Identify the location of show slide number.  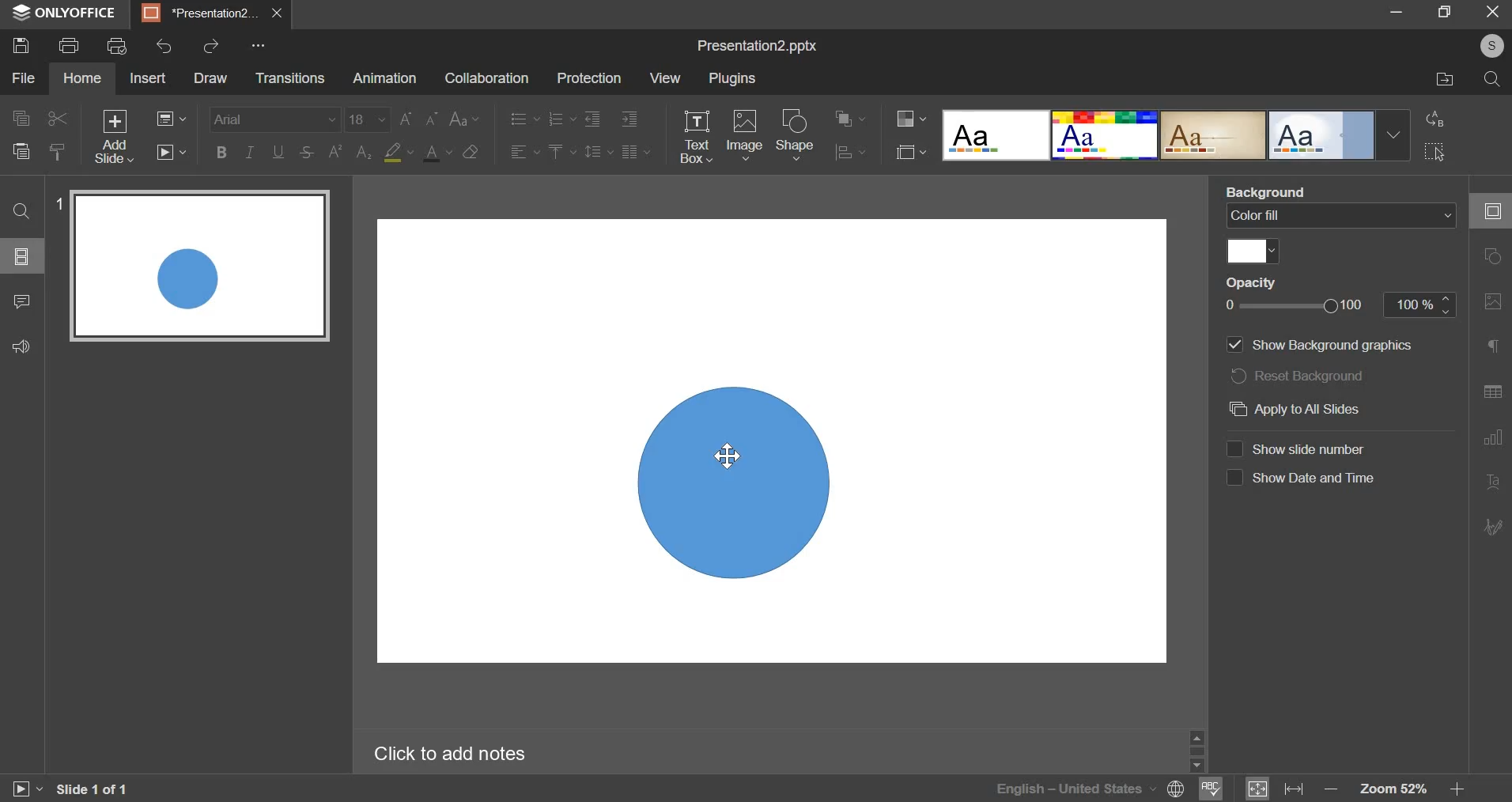
(1295, 448).